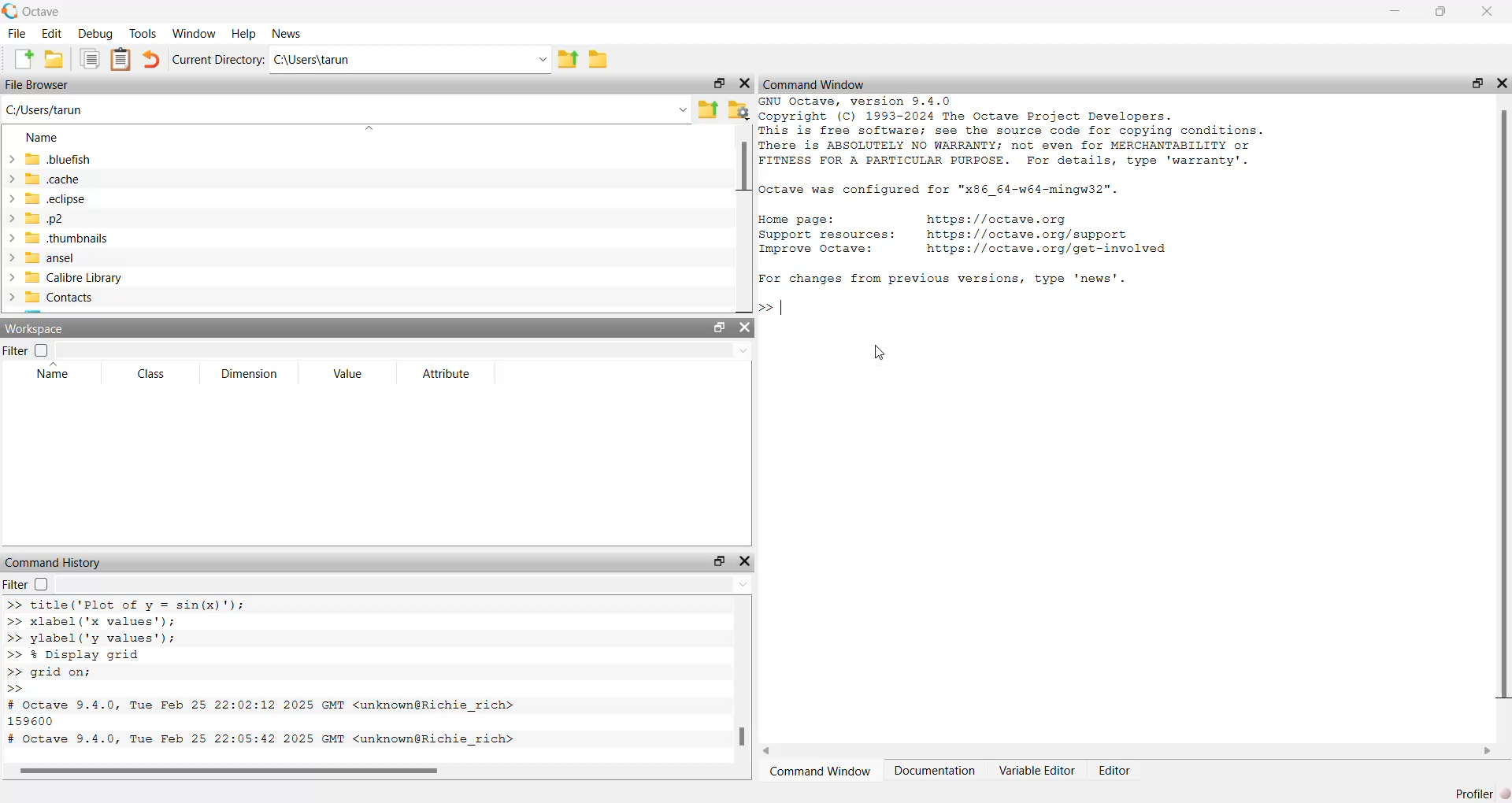 This screenshot has height=803, width=1512. What do you see at coordinates (706, 109) in the screenshot?
I see `Parent directory` at bounding box center [706, 109].